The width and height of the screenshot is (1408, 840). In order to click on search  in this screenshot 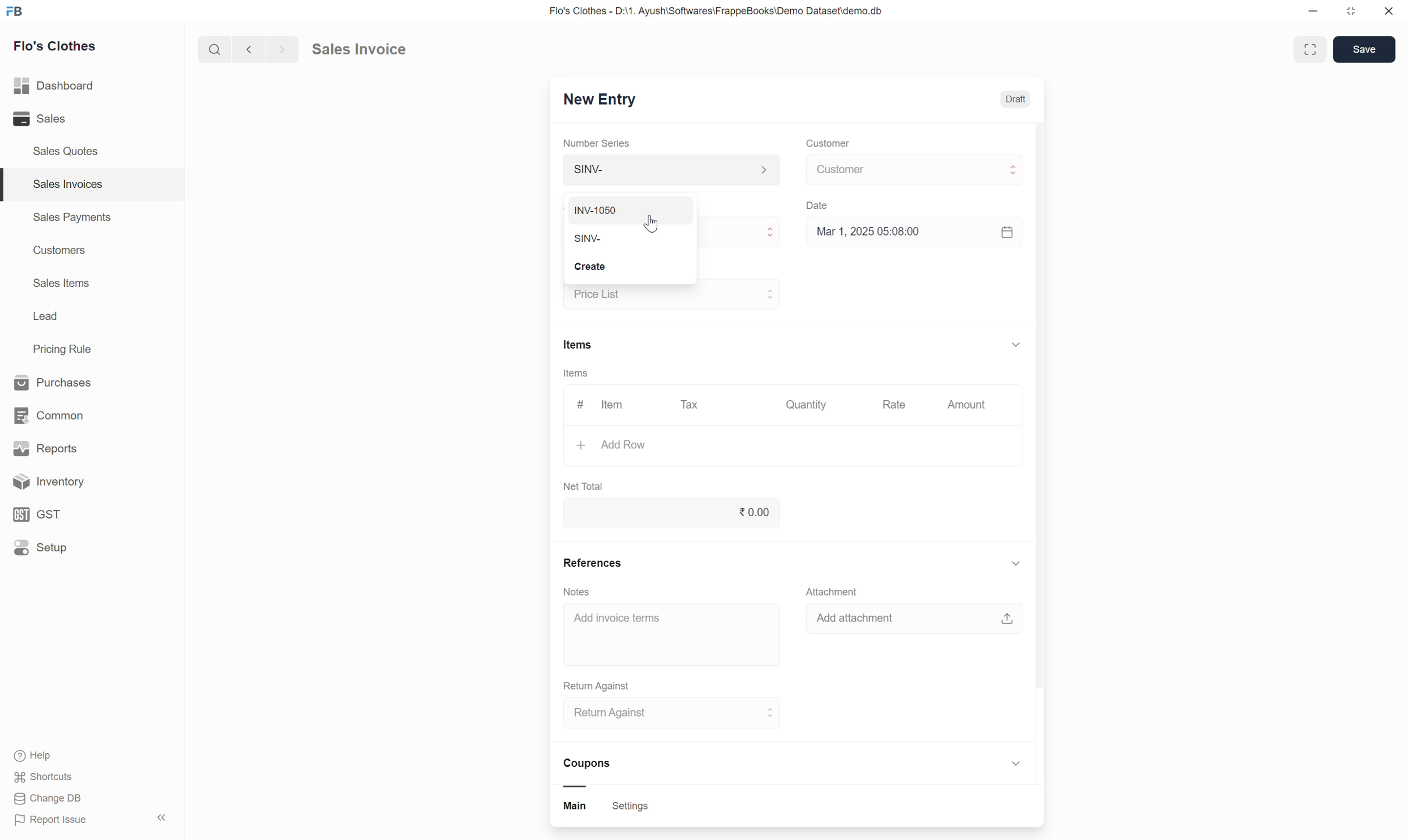, I will do `click(212, 52)`.